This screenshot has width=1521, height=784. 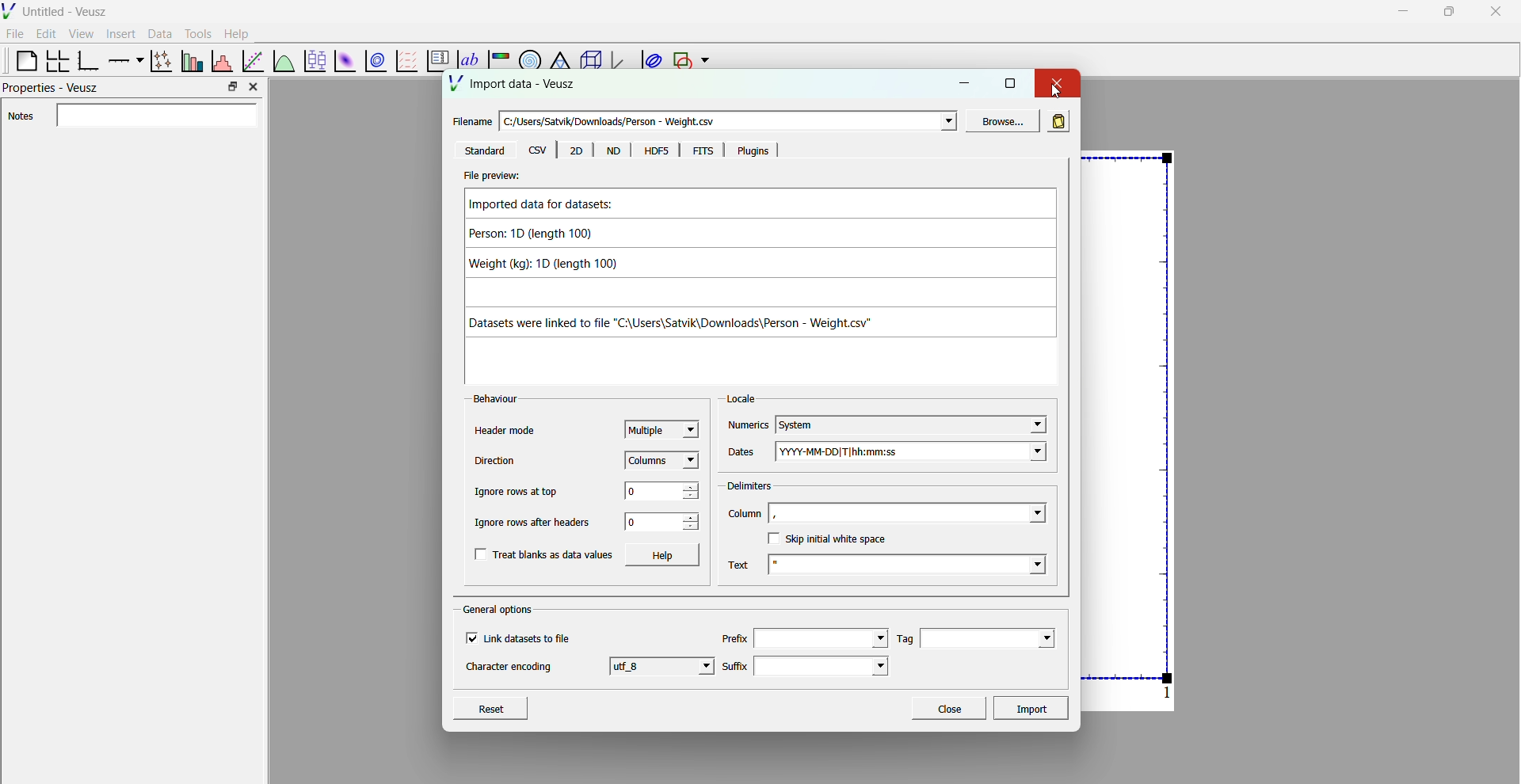 I want to click on data, so click(x=158, y=33).